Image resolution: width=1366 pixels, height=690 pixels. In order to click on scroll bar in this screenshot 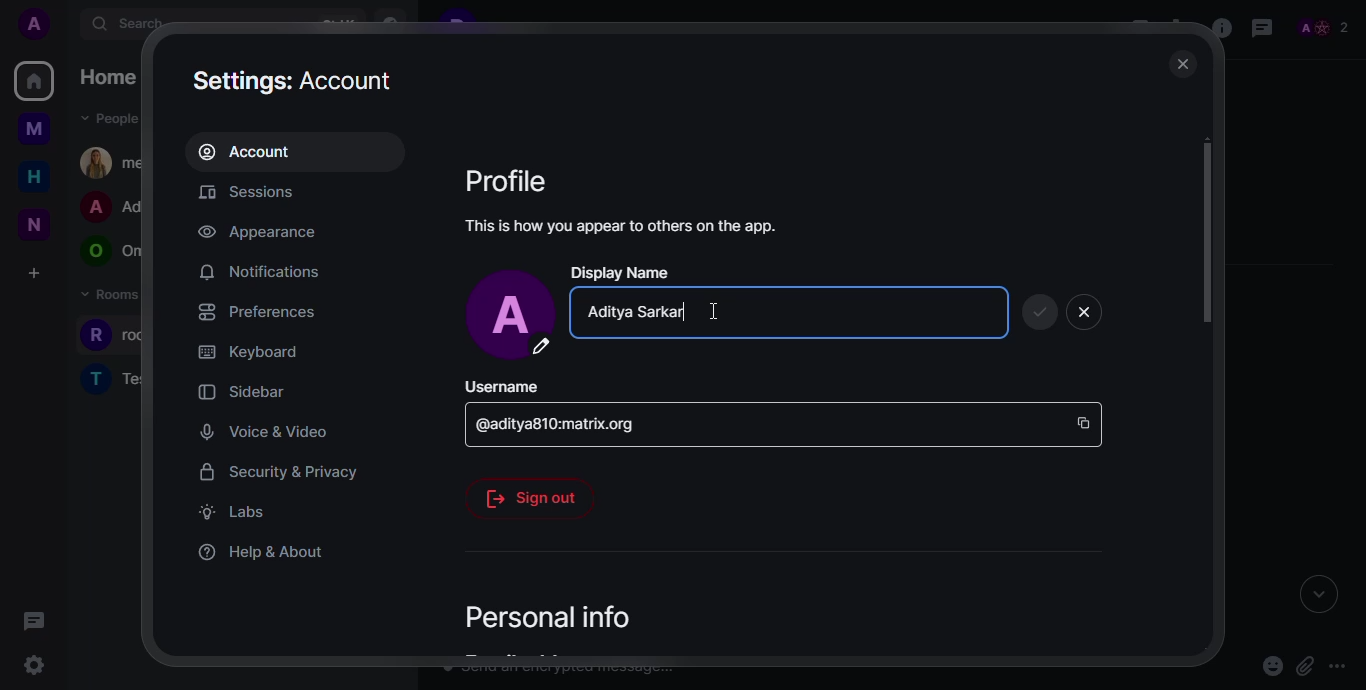, I will do `click(1207, 246)`.